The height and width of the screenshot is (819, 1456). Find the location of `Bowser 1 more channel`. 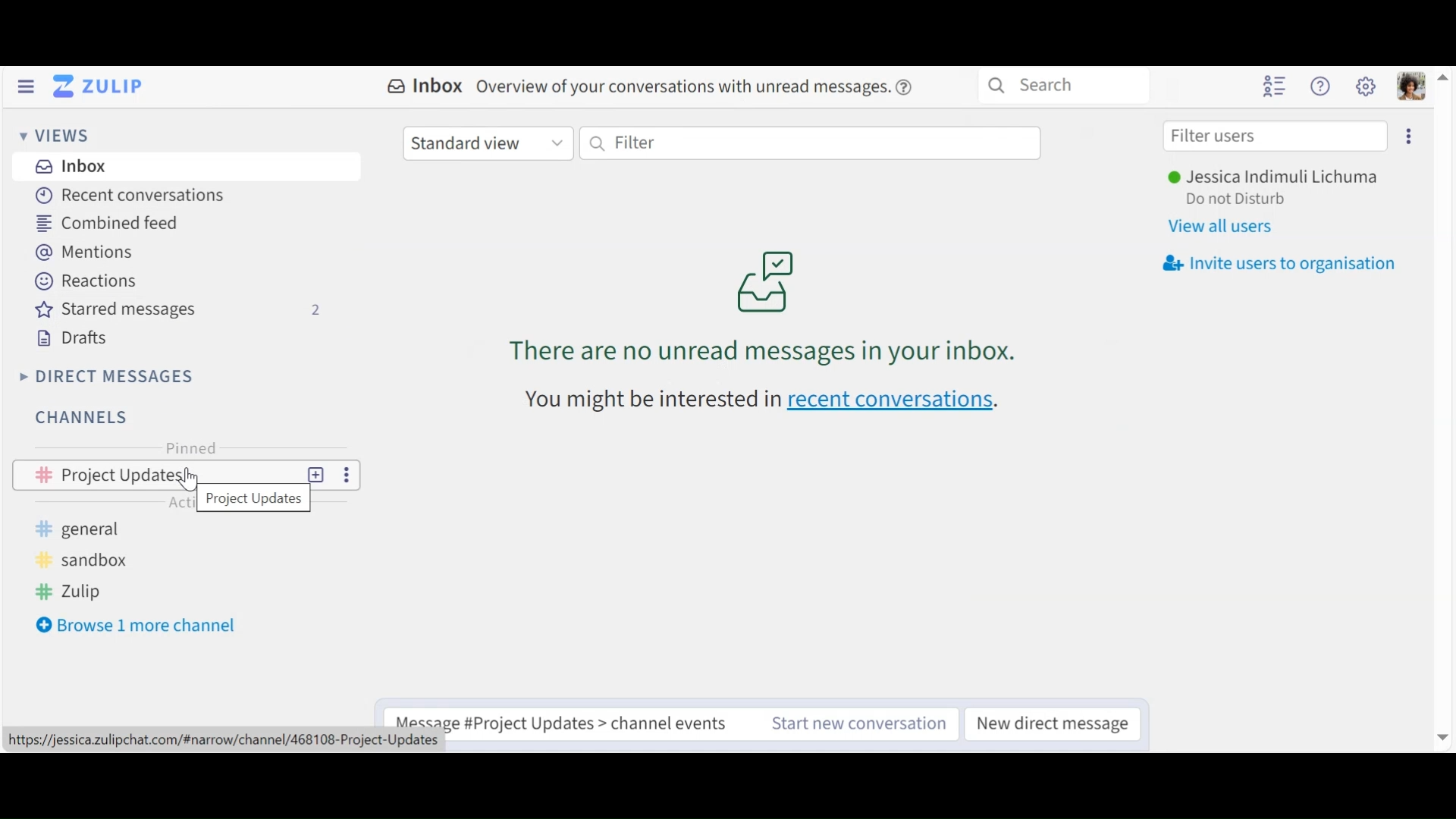

Bowser 1 more channel is located at coordinates (142, 626).